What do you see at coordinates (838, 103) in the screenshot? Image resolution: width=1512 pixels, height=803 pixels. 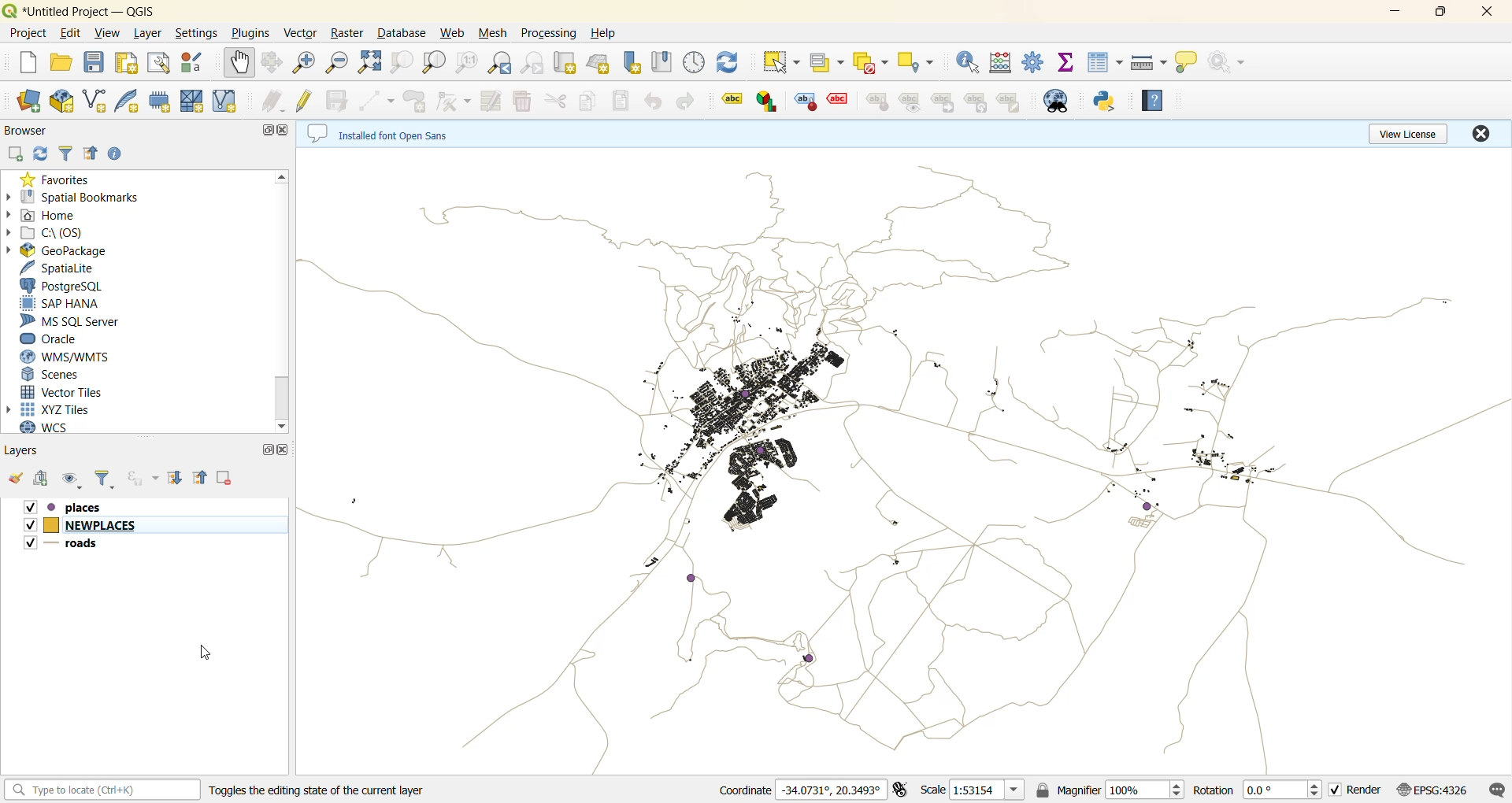 I see `effect` at bounding box center [838, 103].